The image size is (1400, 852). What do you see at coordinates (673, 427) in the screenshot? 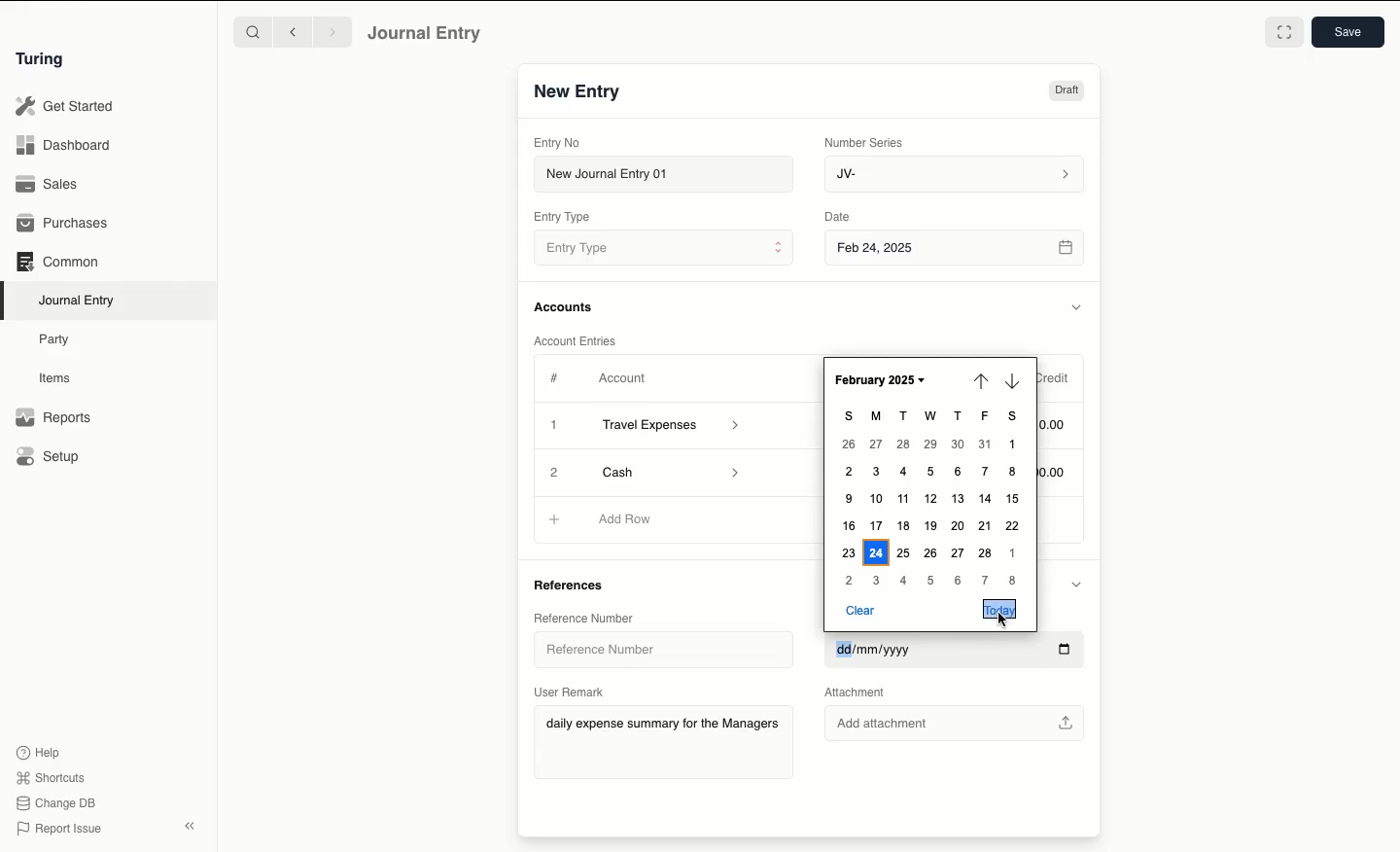
I see `Travel Expenses` at bounding box center [673, 427].